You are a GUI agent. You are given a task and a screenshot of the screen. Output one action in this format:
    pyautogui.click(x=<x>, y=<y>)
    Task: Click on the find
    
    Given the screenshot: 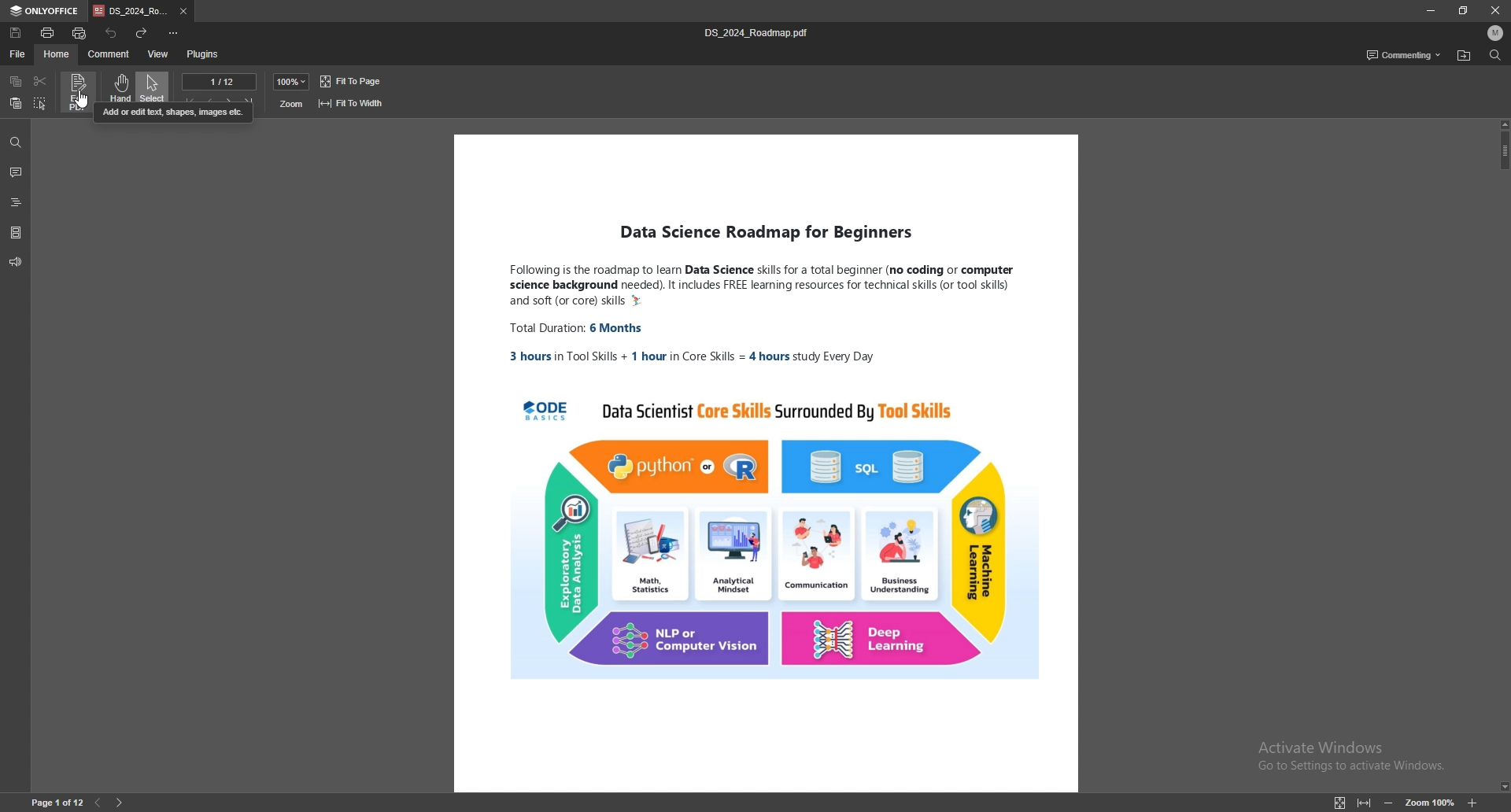 What is the action you would take?
    pyautogui.click(x=1494, y=55)
    